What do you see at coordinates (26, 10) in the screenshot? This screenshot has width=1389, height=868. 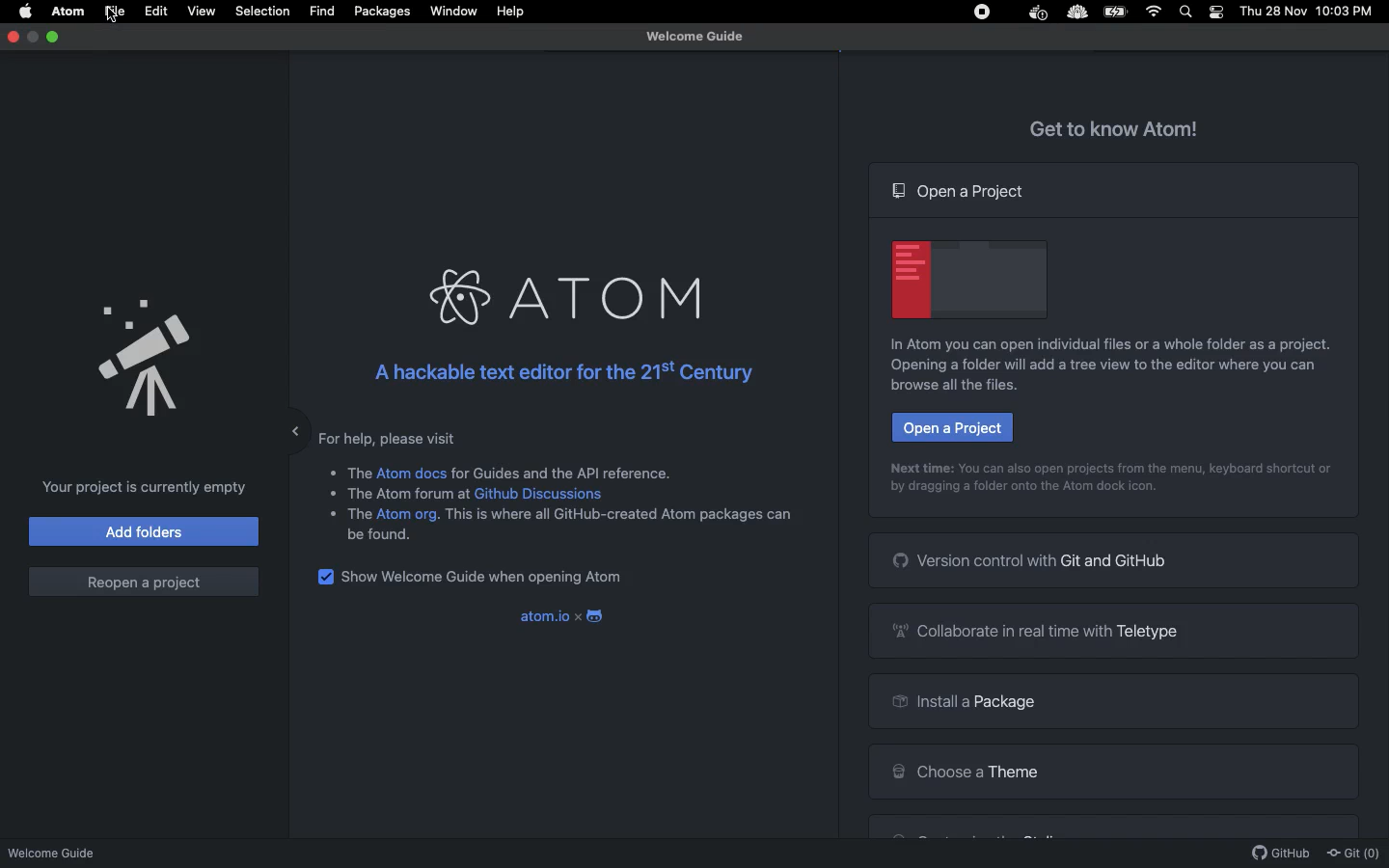 I see `Apple logo` at bounding box center [26, 10].